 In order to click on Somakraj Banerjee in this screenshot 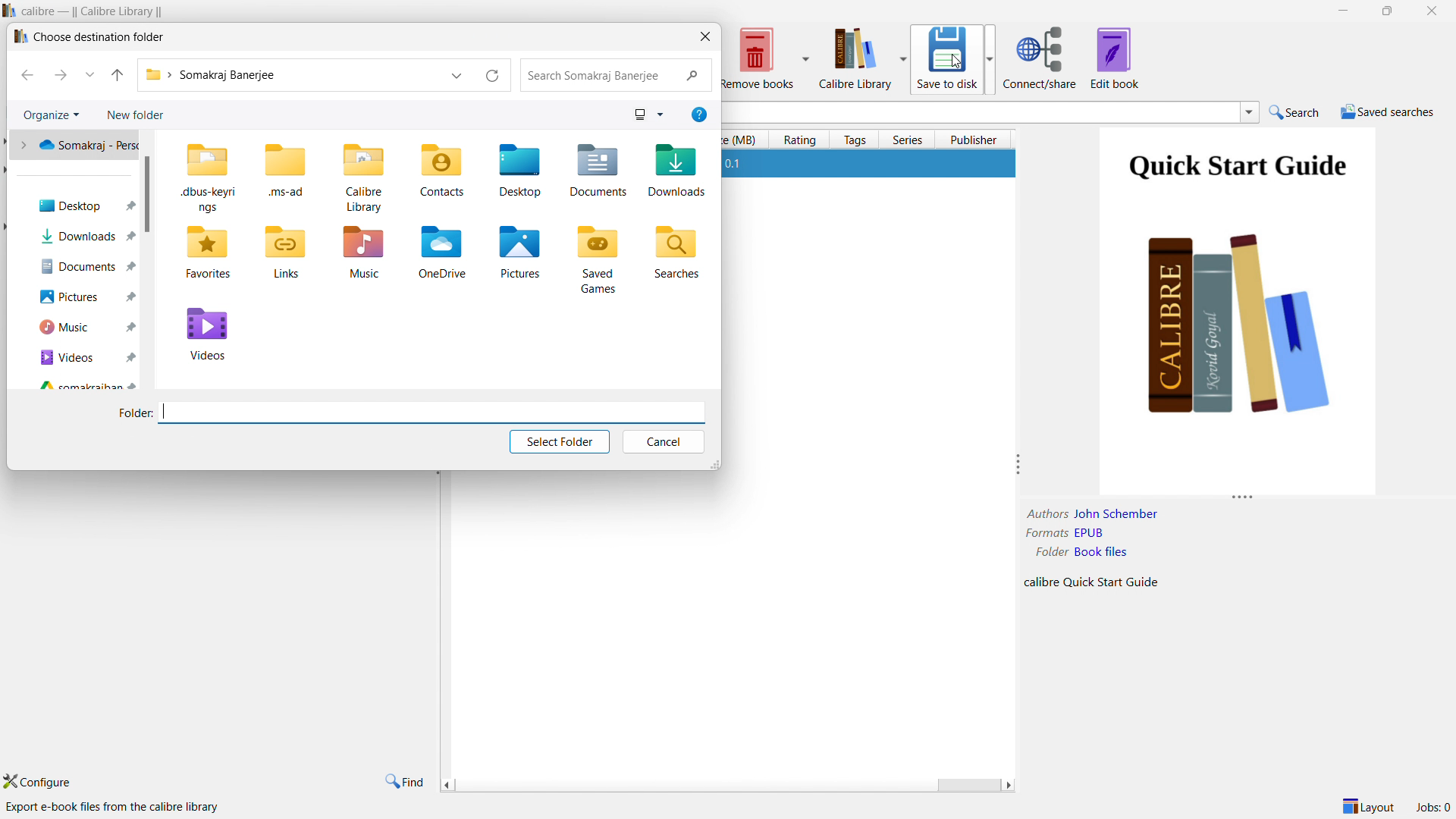, I will do `click(287, 75)`.